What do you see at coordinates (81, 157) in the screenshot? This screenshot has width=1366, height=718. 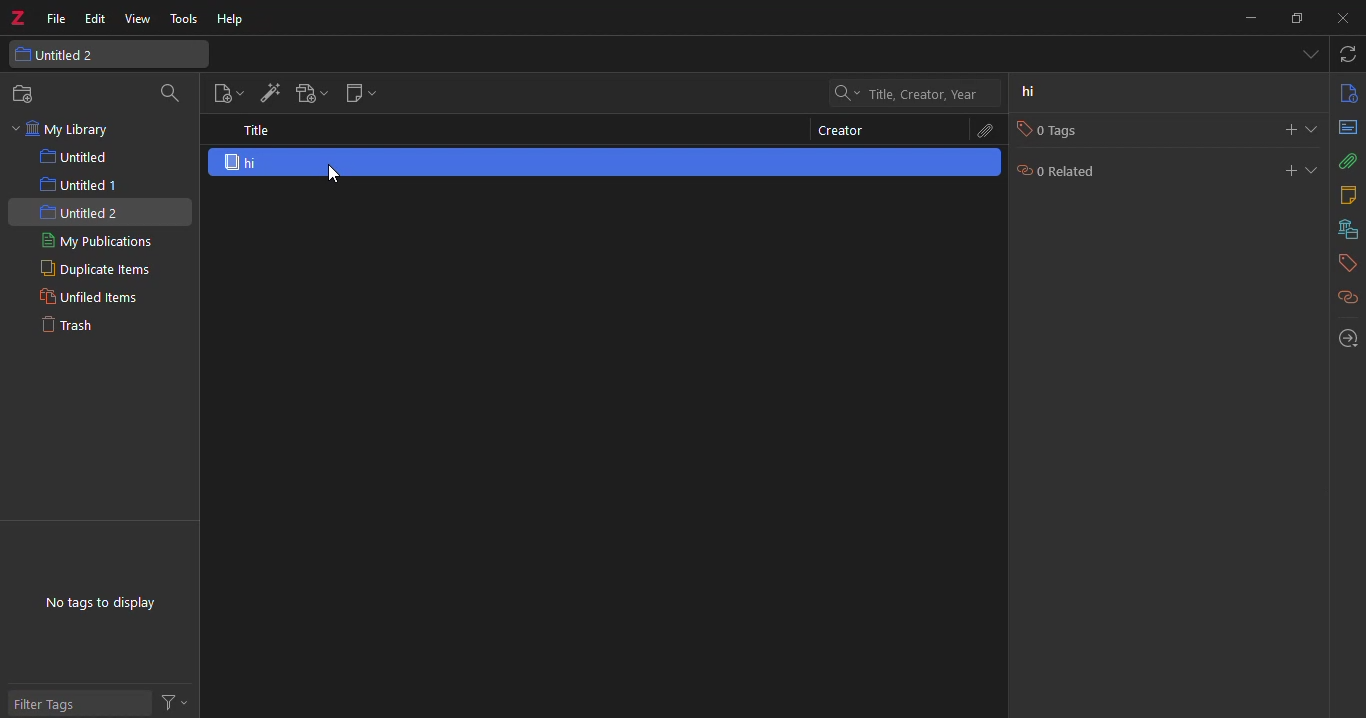 I see `untitled` at bounding box center [81, 157].